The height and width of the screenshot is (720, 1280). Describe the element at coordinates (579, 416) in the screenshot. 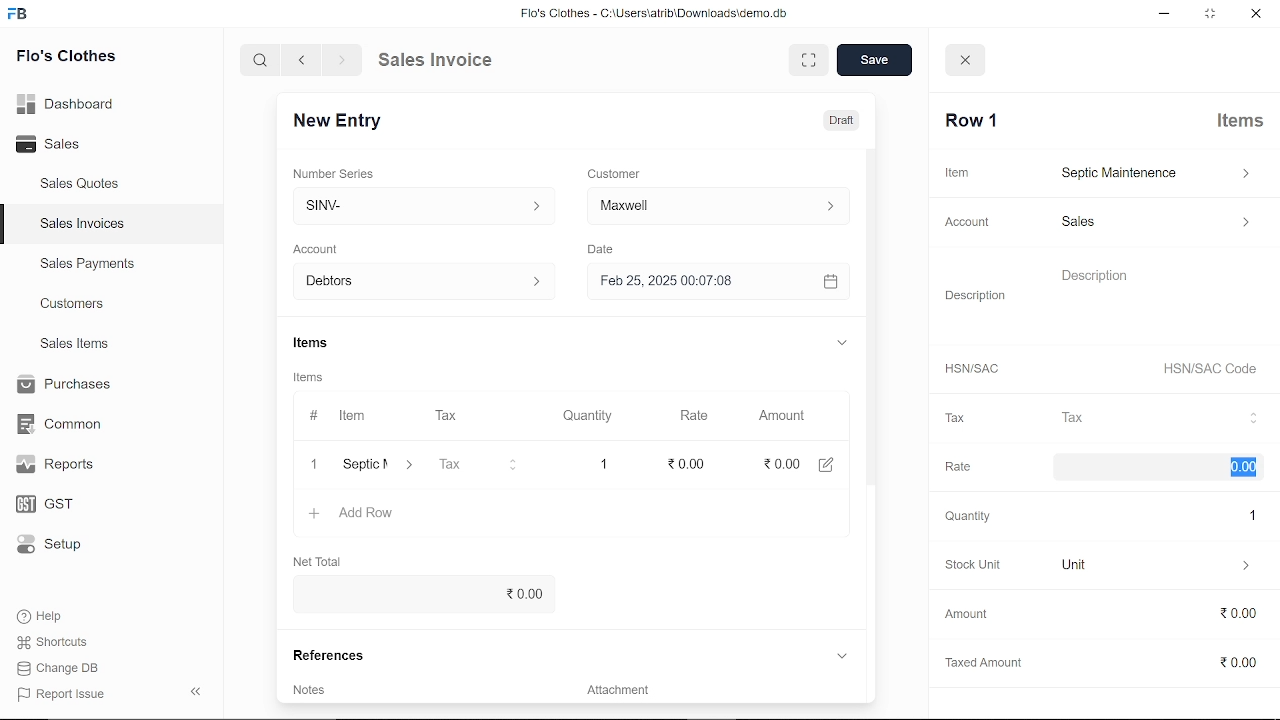

I see ` Quantity` at that location.